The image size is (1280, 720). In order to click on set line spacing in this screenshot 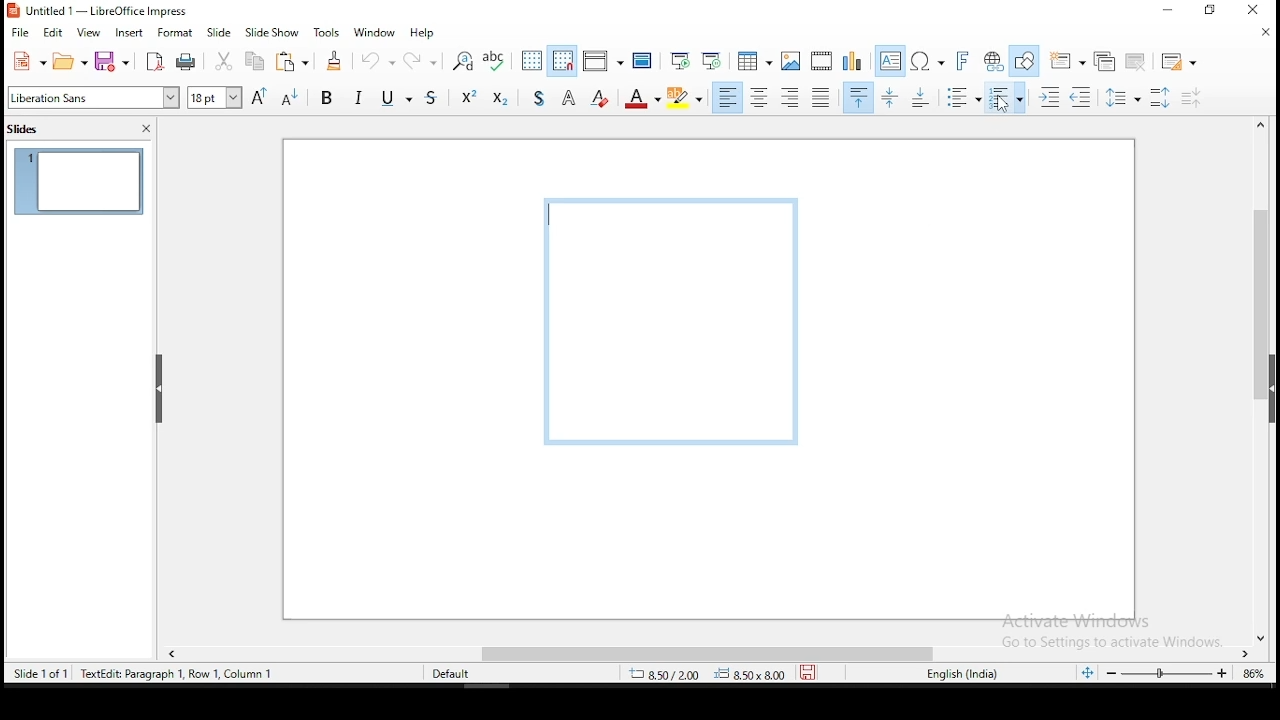, I will do `click(1127, 100)`.